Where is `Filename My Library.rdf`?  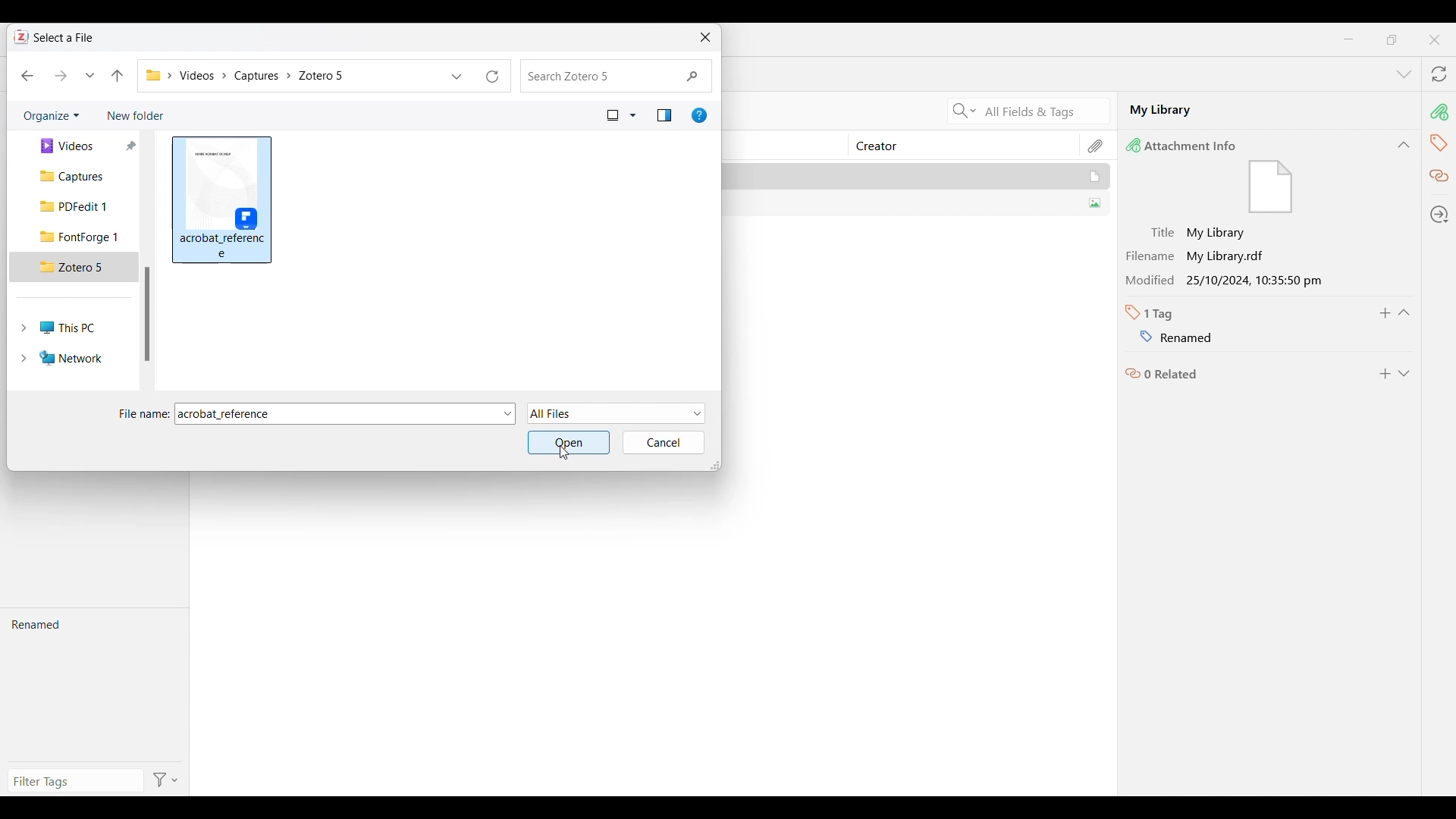
Filename My Library.rdf is located at coordinates (1203, 253).